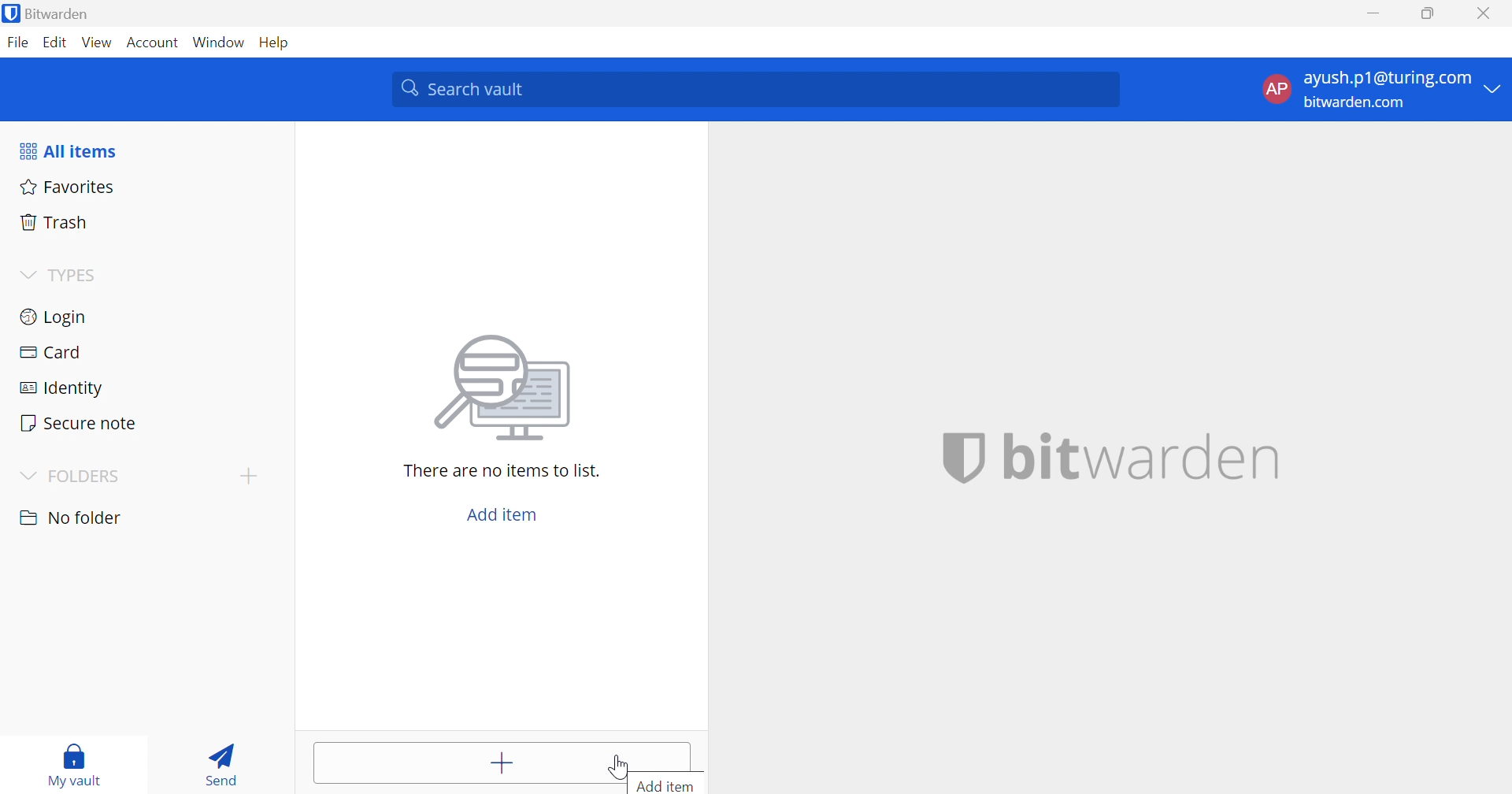 The image size is (1512, 794). Describe the element at coordinates (1388, 79) in the screenshot. I see `ayush.p1@turing.com` at that location.